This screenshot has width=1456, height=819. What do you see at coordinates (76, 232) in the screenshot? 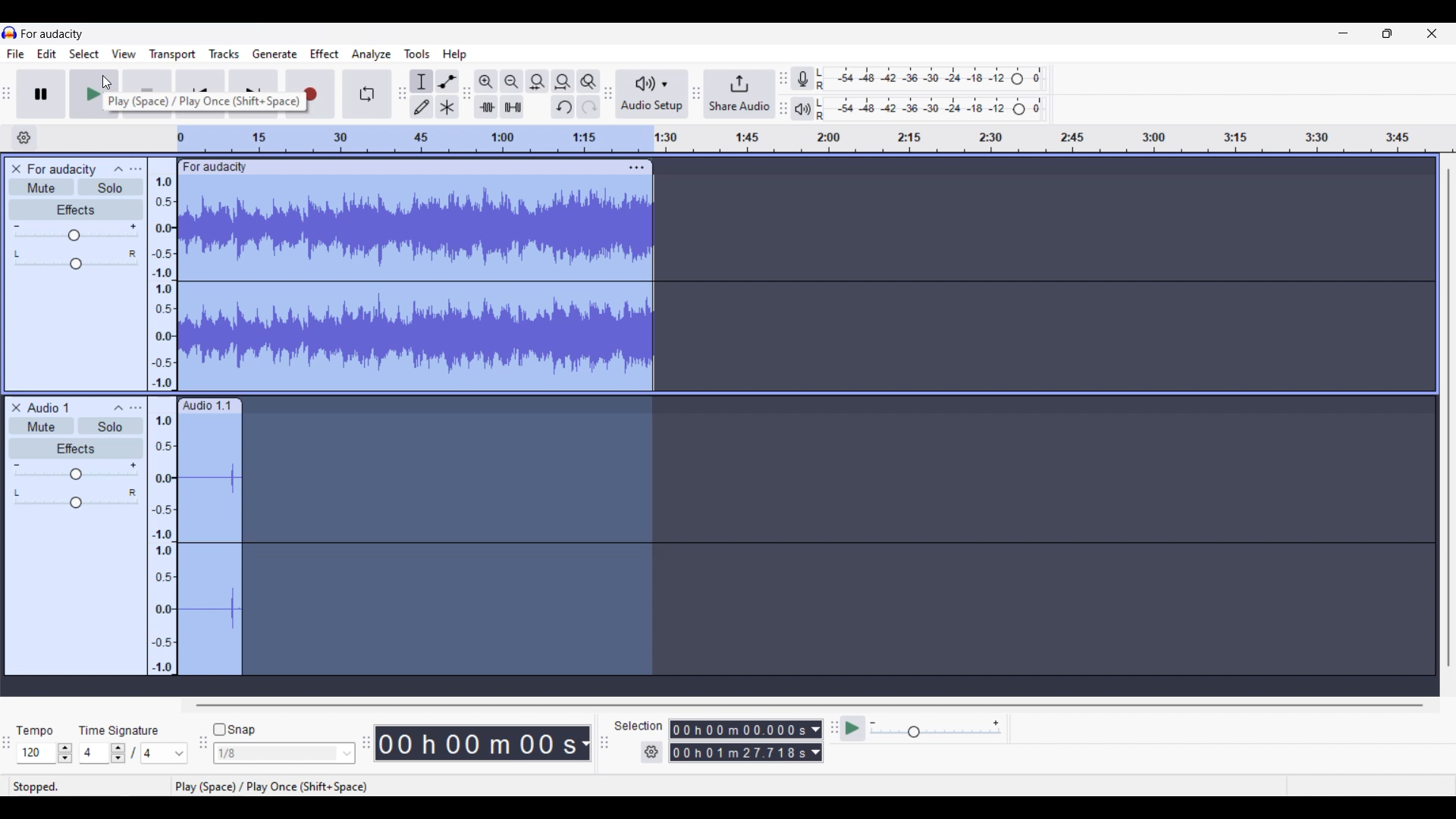
I see `Volume slider` at bounding box center [76, 232].